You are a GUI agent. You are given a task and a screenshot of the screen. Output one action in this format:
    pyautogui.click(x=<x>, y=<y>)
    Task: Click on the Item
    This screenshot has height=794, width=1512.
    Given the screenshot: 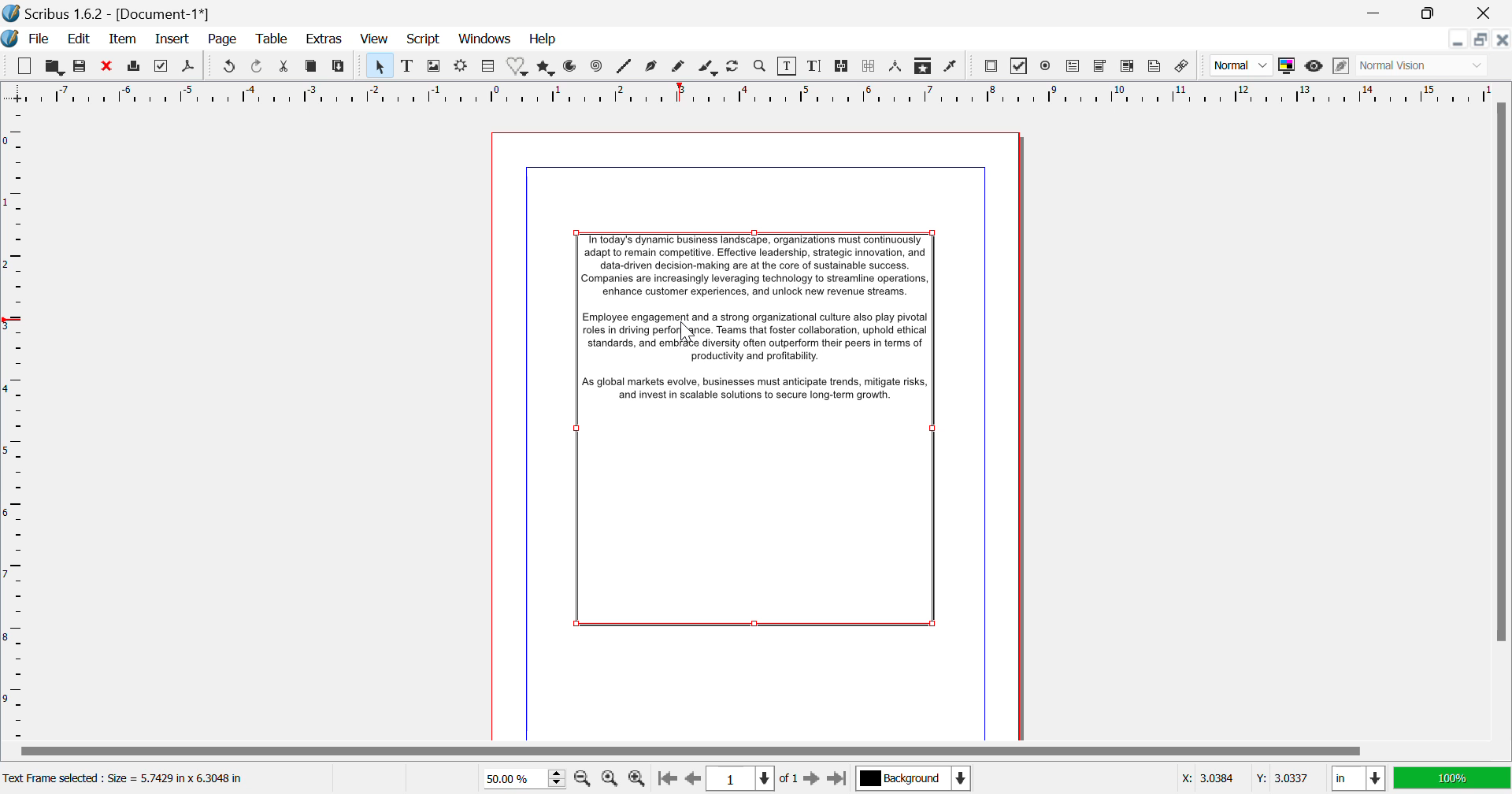 What is the action you would take?
    pyautogui.click(x=121, y=40)
    